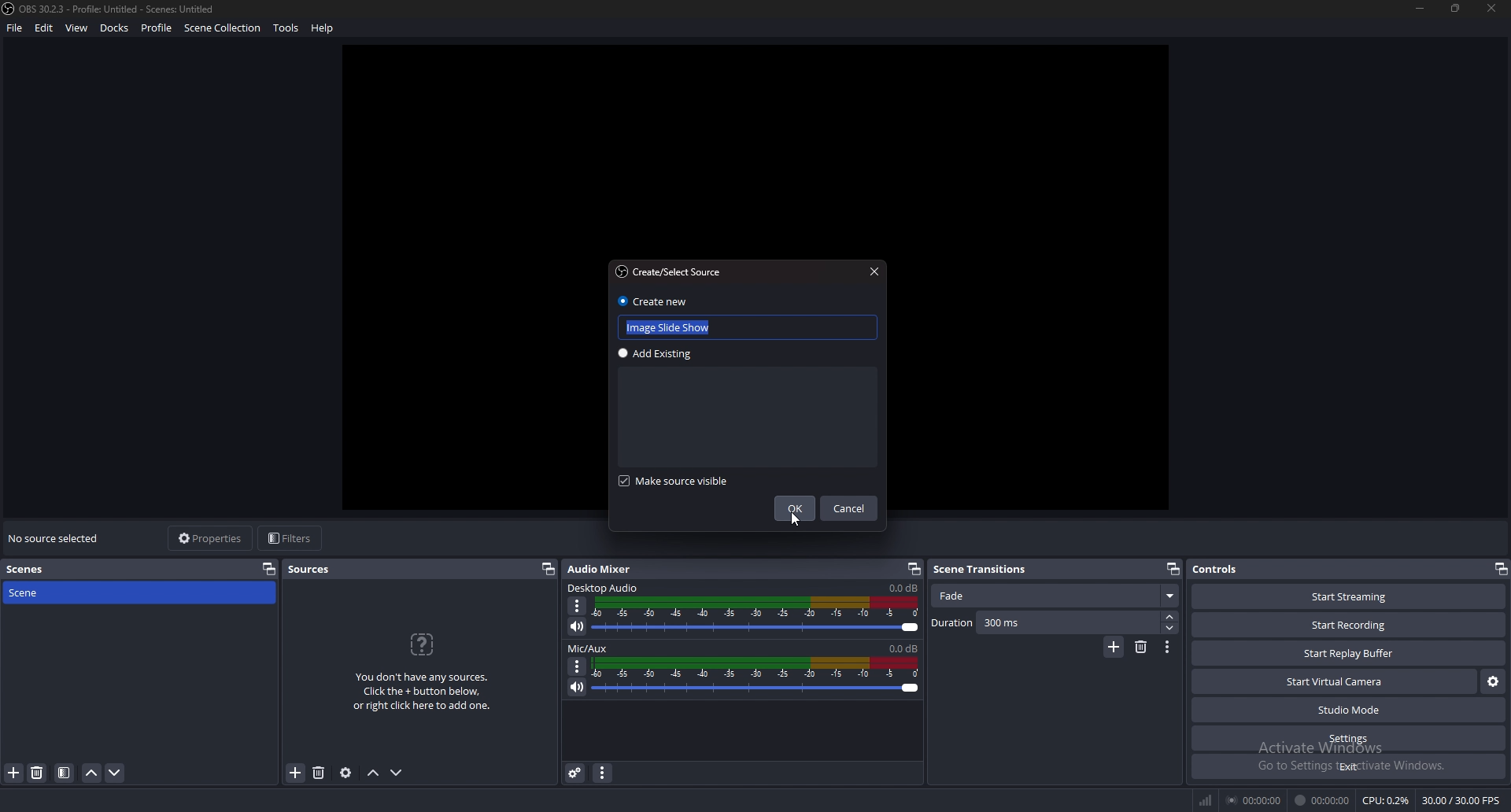  What do you see at coordinates (1494, 10) in the screenshot?
I see `close` at bounding box center [1494, 10].